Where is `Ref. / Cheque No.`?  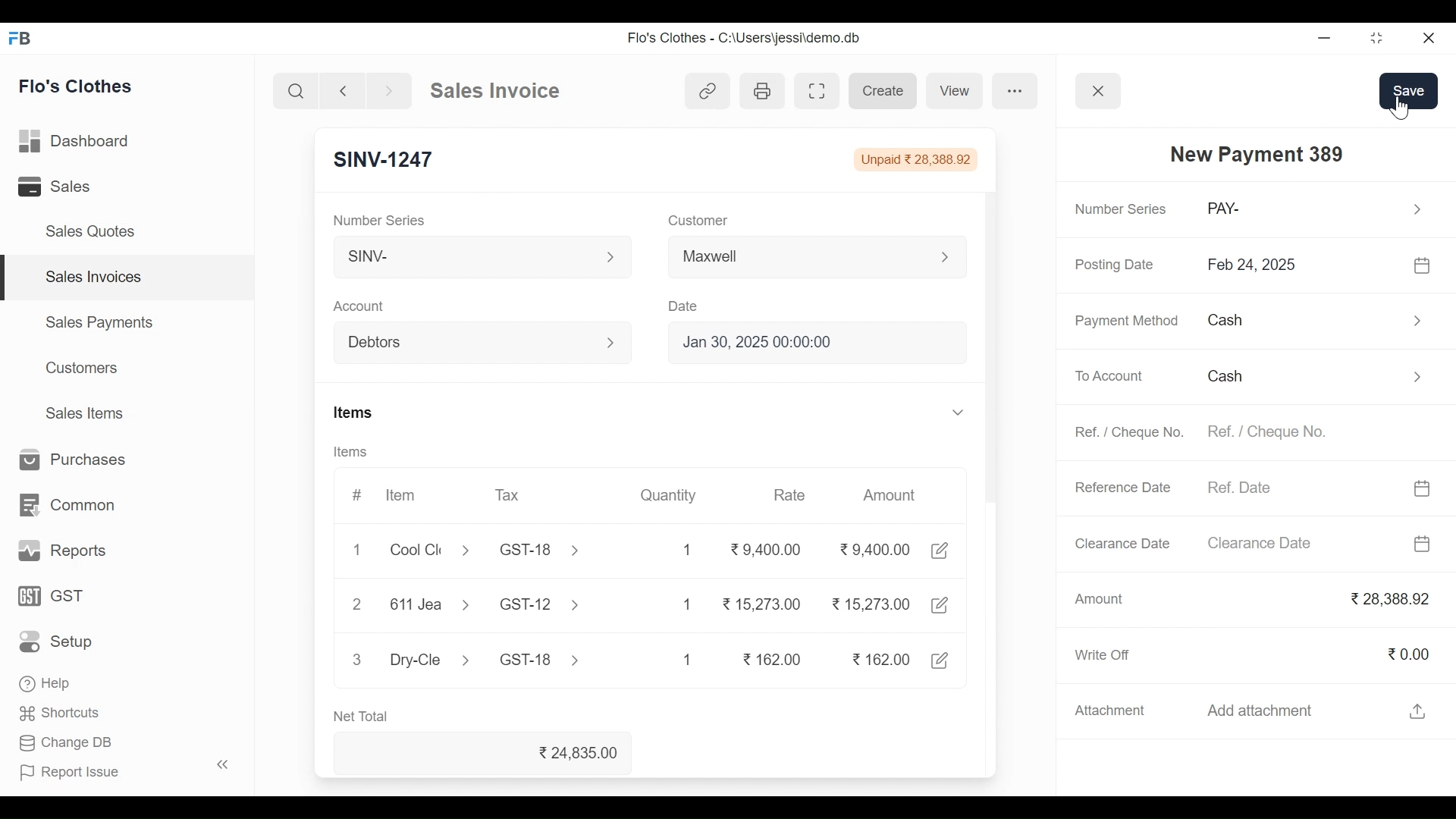
Ref. / Cheque No. is located at coordinates (1268, 432).